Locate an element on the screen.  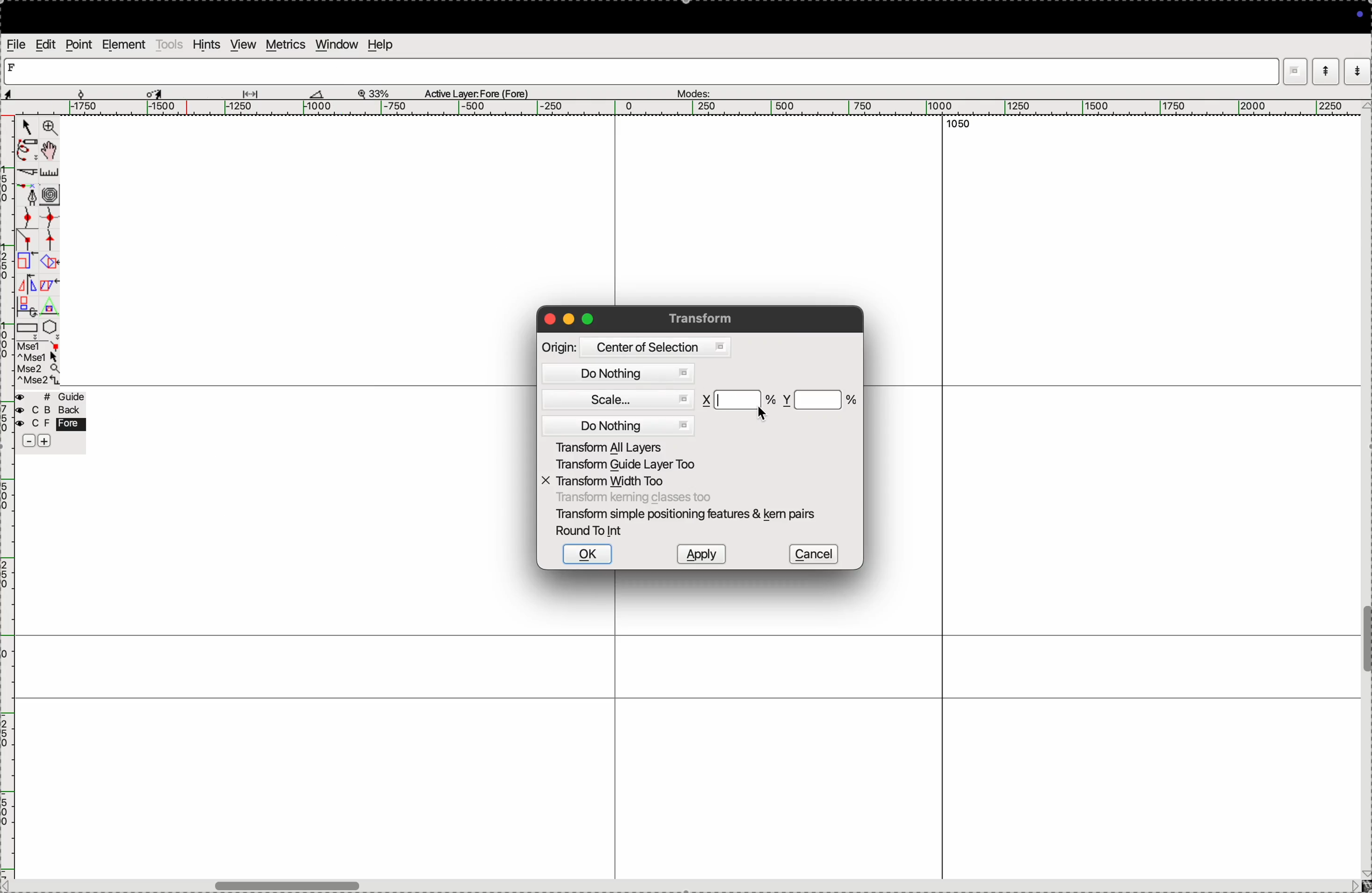
add is located at coordinates (46, 443).